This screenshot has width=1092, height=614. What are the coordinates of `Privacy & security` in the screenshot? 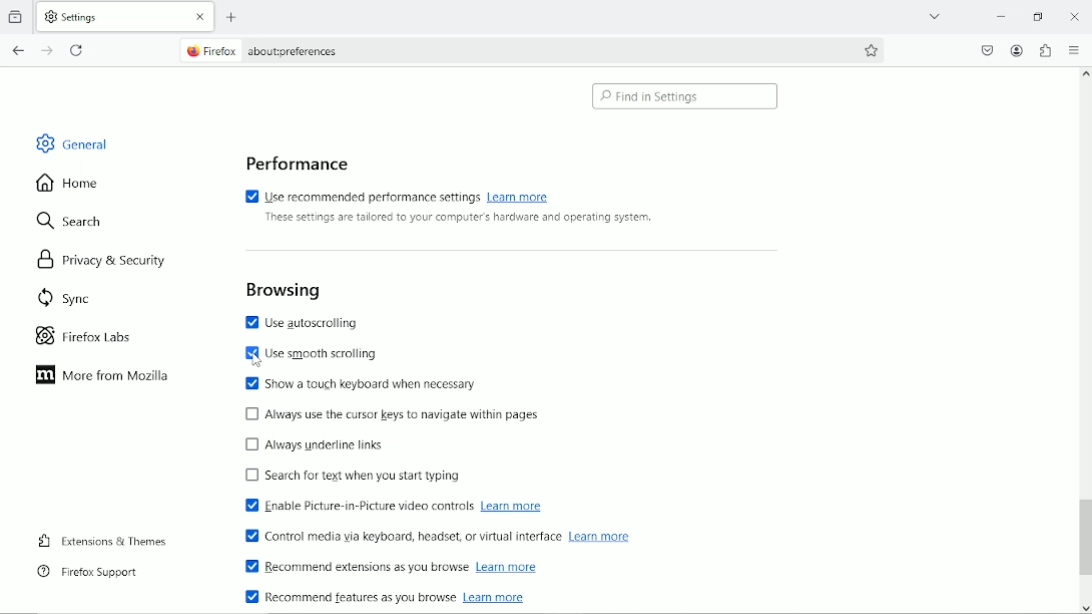 It's located at (108, 258).